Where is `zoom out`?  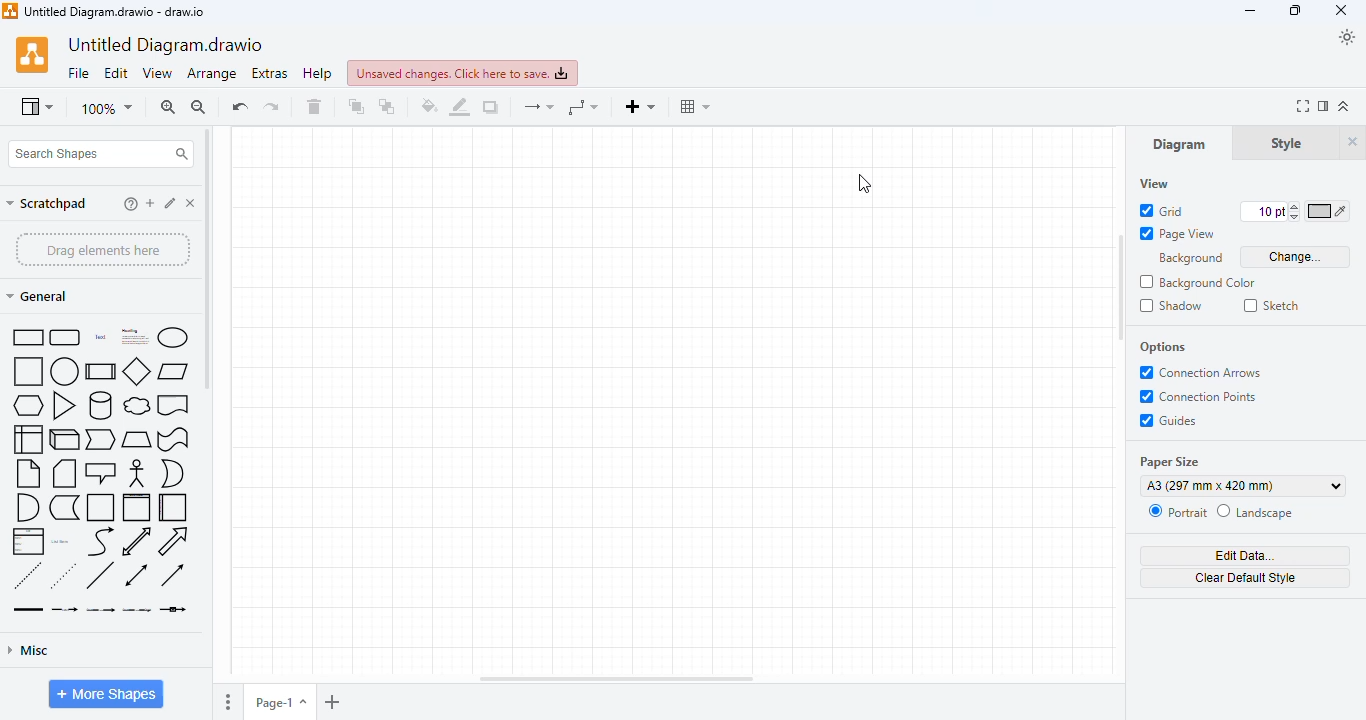
zoom out is located at coordinates (199, 107).